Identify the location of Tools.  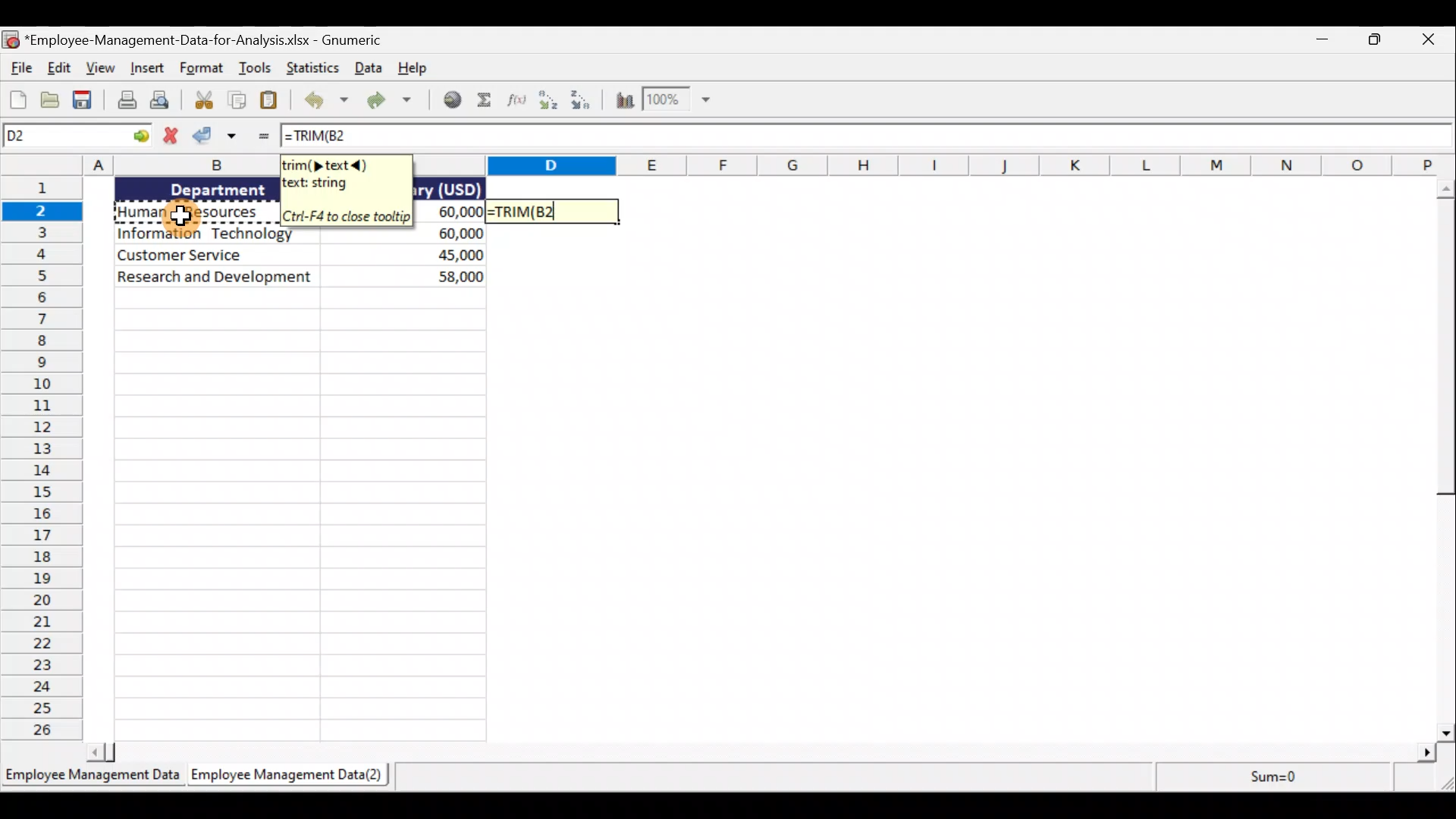
(258, 68).